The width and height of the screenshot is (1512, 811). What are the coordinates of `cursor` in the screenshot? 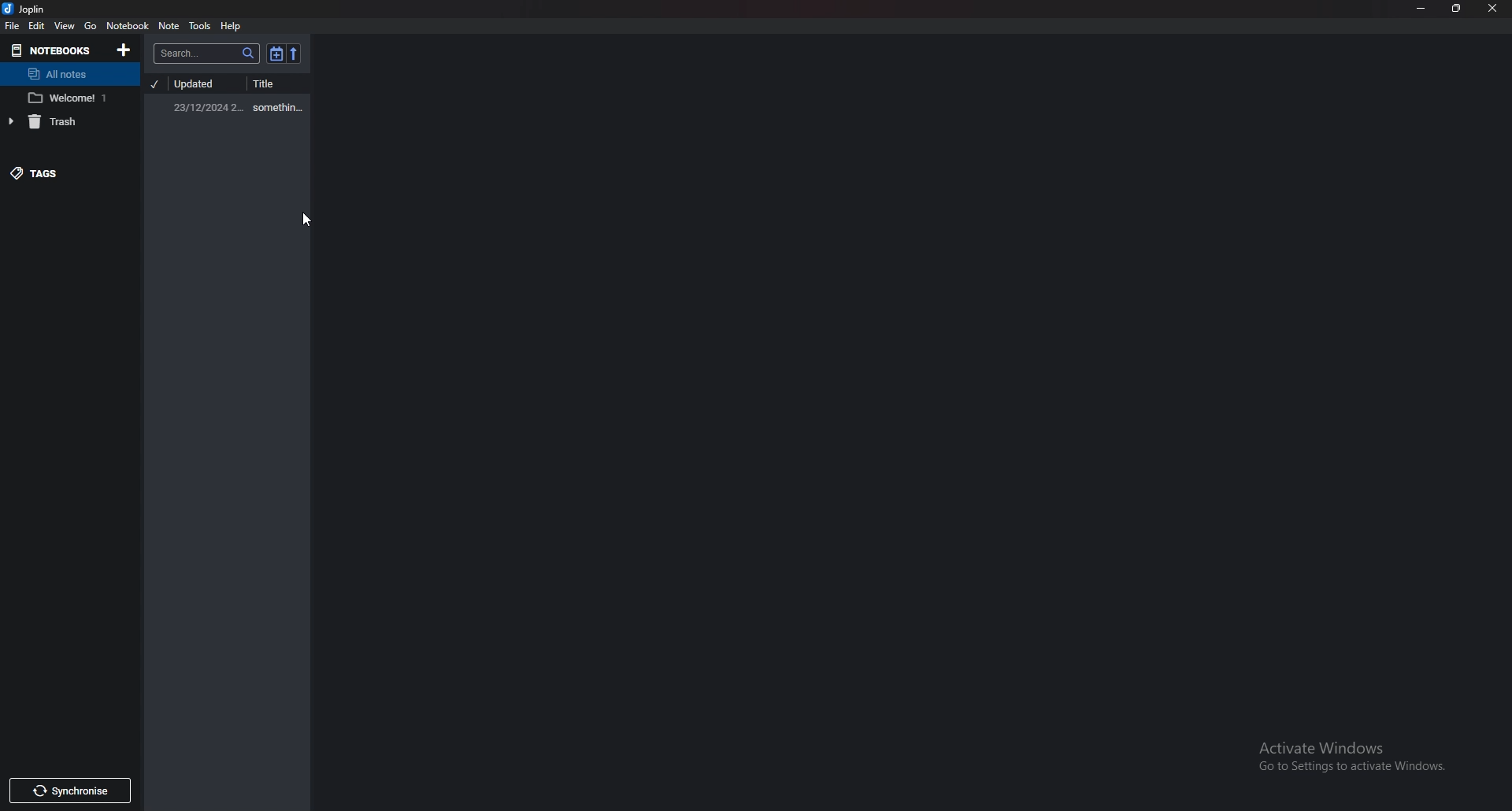 It's located at (304, 219).